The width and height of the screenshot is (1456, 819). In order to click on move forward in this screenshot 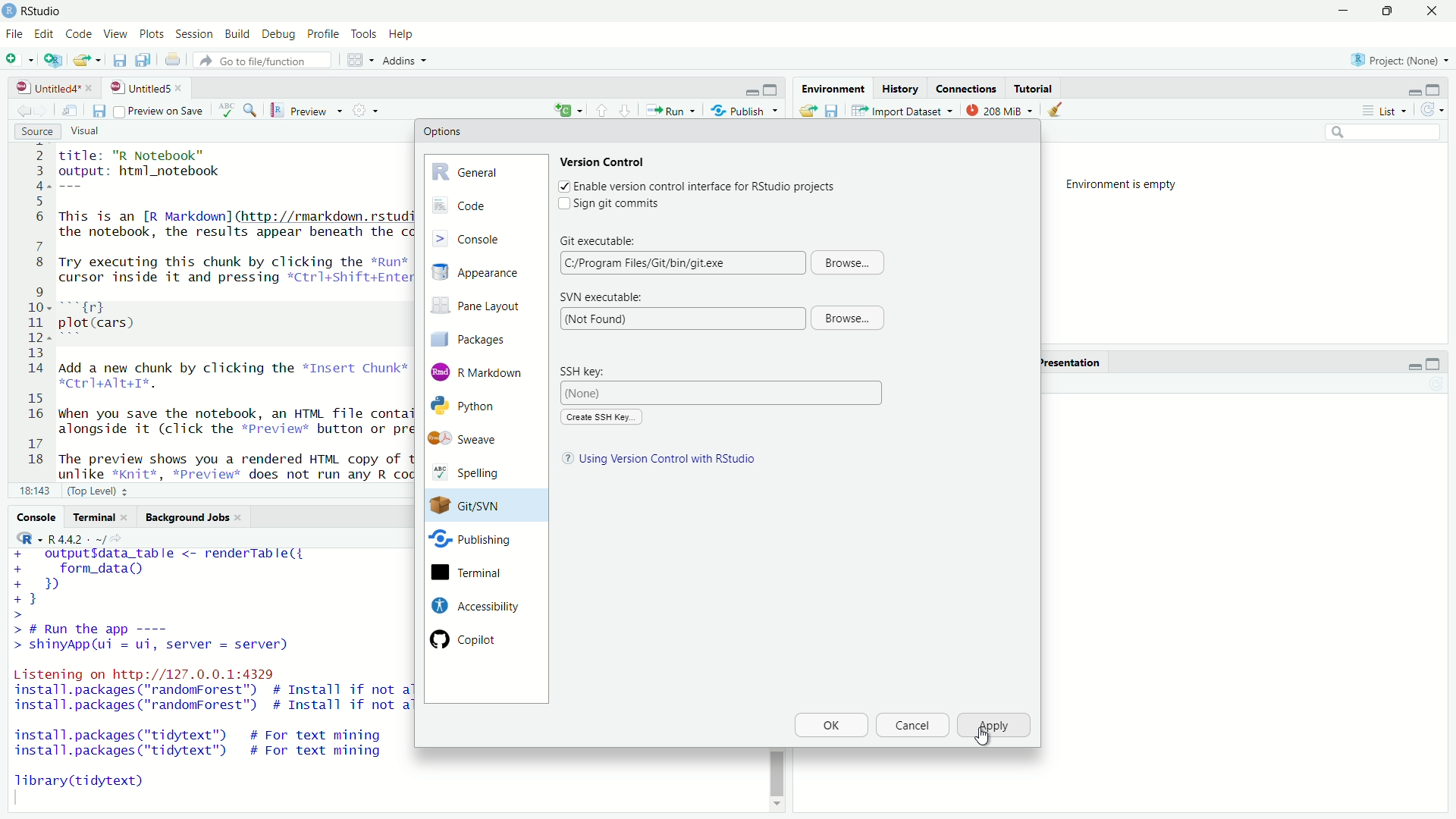, I will do `click(21, 111)`.